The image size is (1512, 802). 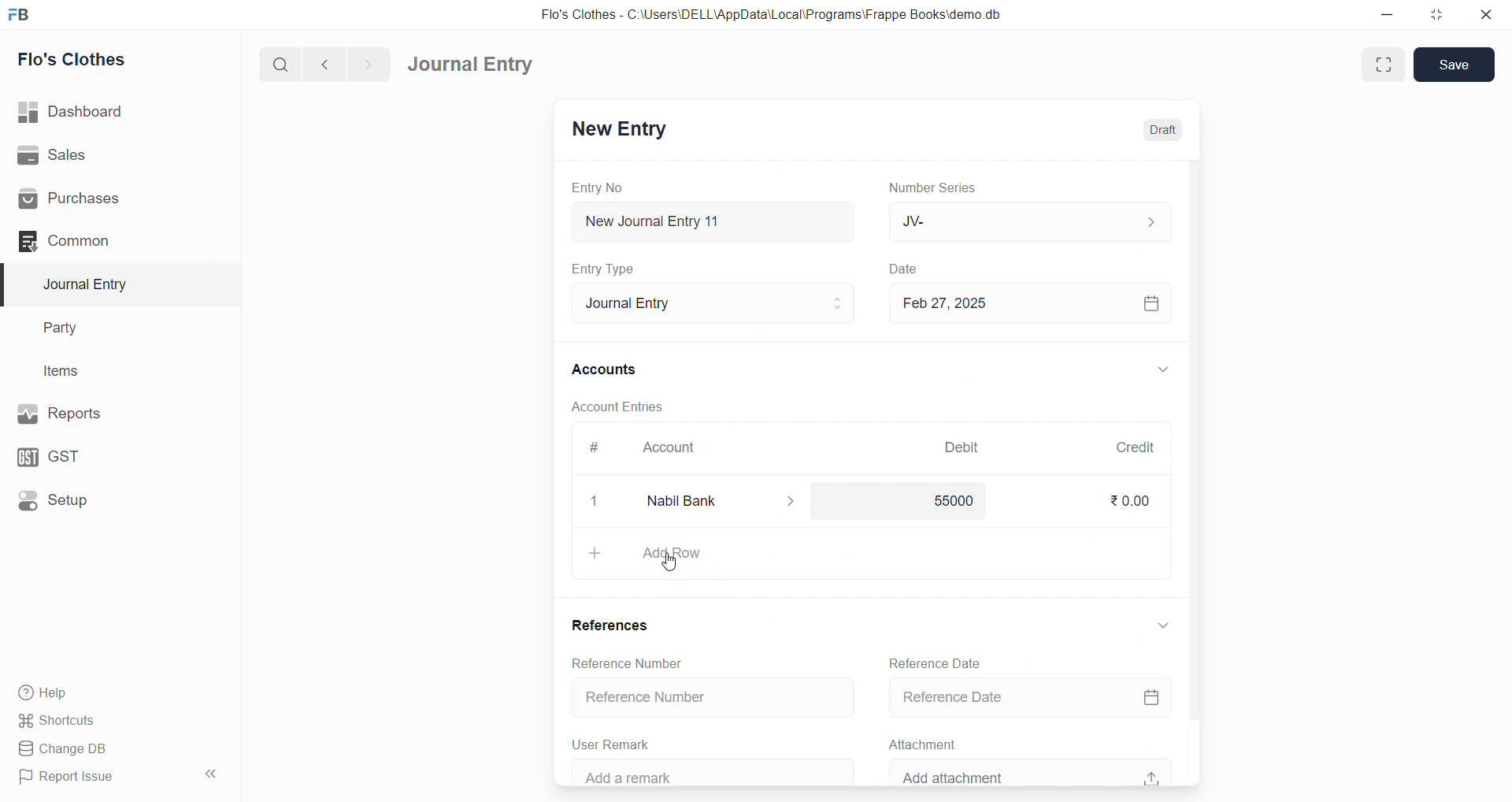 What do you see at coordinates (95, 722) in the screenshot?
I see `Shortcuts` at bounding box center [95, 722].